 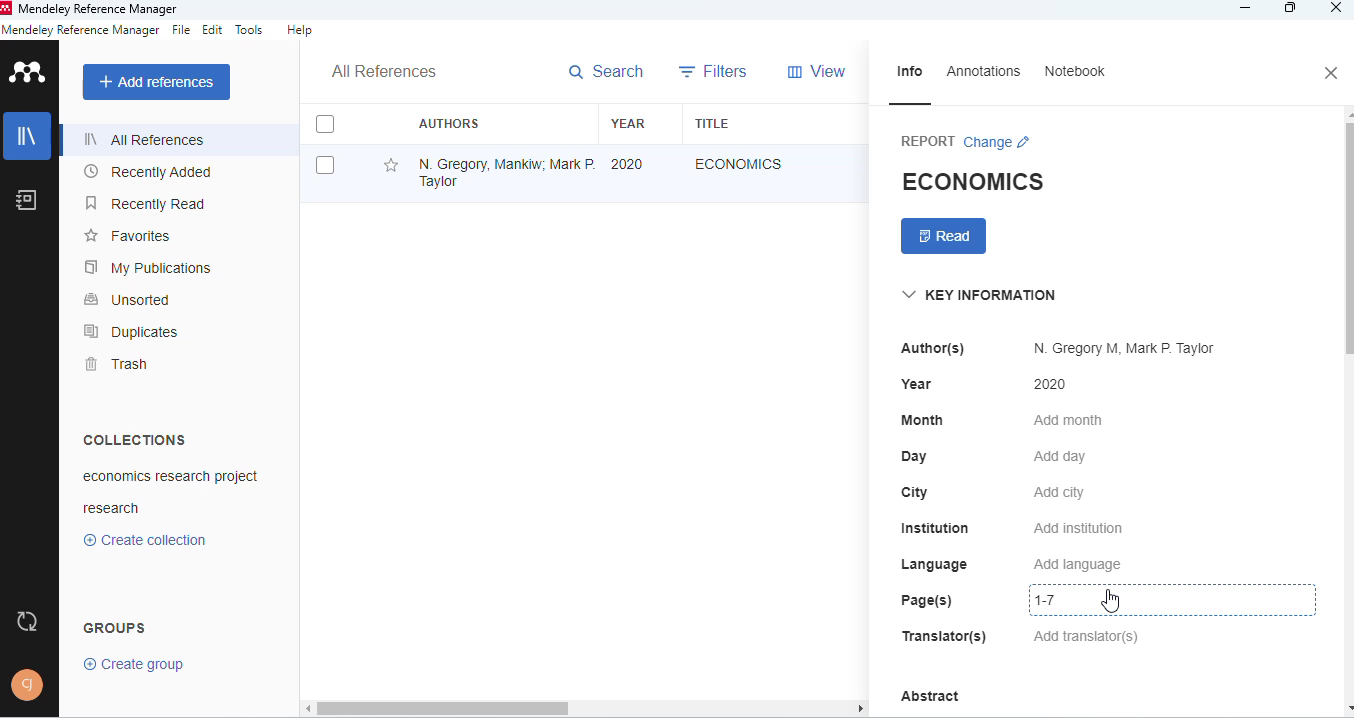 What do you see at coordinates (130, 331) in the screenshot?
I see `duplicates` at bounding box center [130, 331].